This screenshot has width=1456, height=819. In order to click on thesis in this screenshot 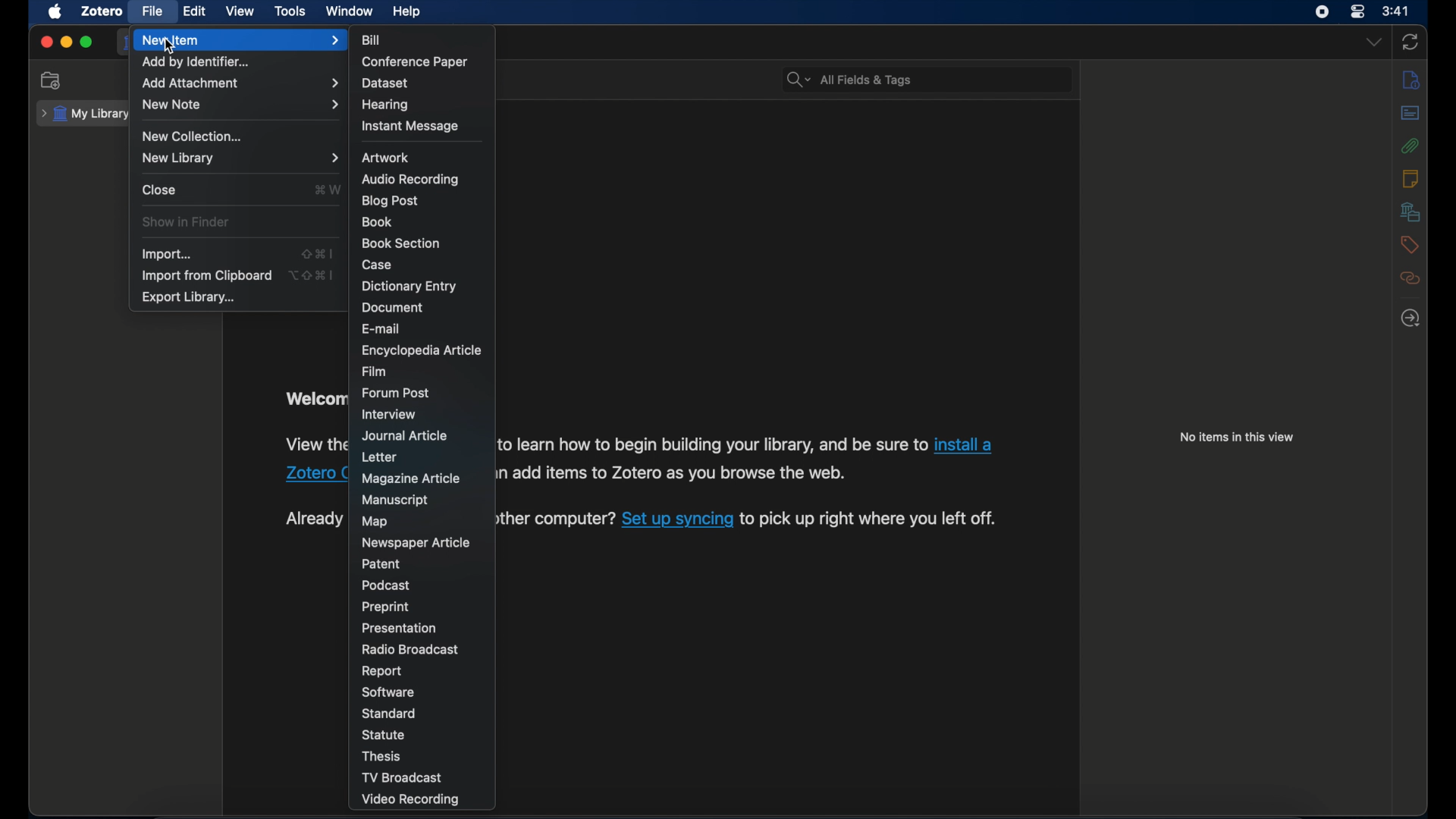, I will do `click(383, 756)`.